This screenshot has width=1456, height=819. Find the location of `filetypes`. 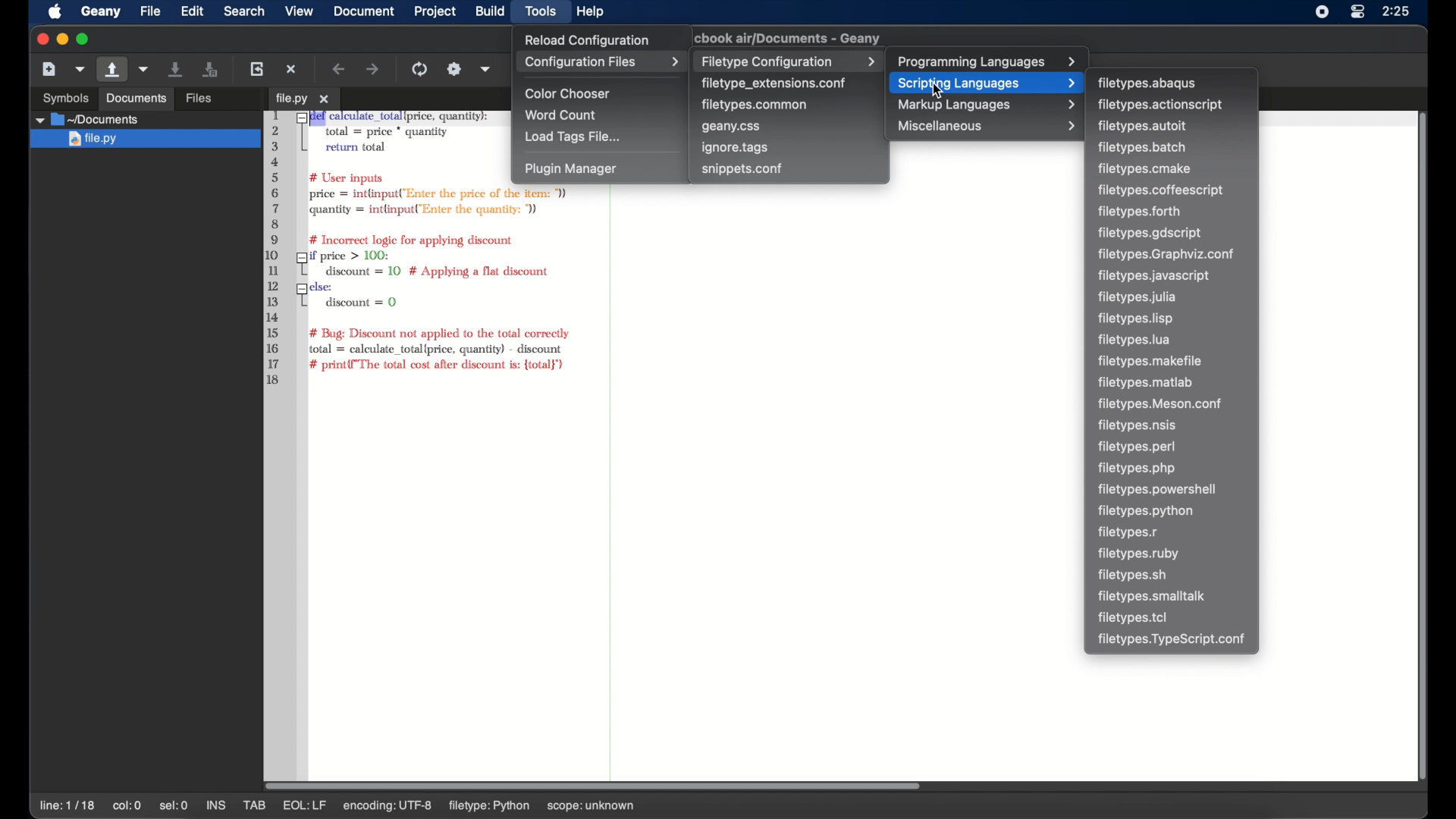

filetypes is located at coordinates (1141, 425).